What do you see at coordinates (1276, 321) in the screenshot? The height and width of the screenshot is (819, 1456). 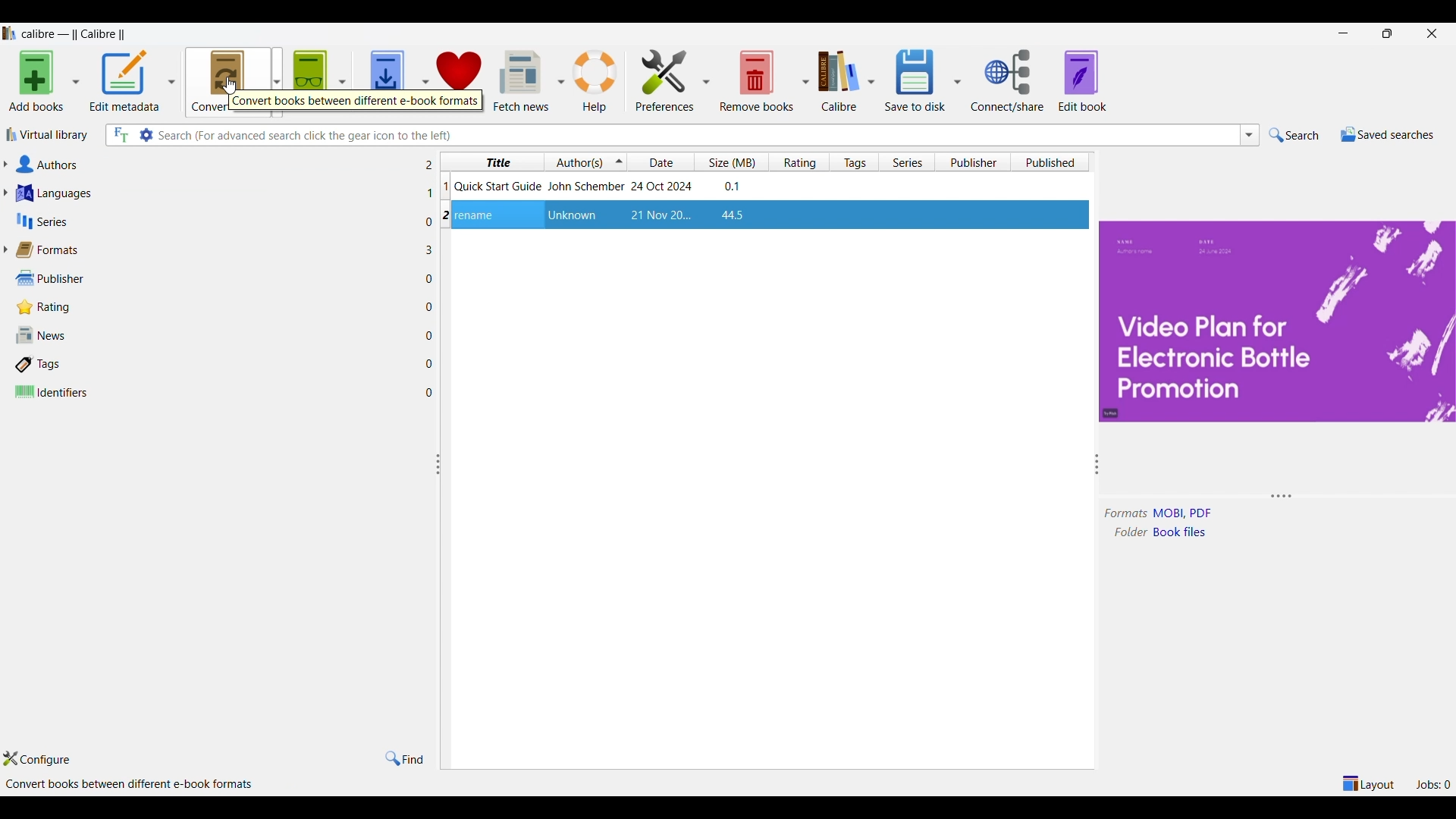 I see `Preview and details changed` at bounding box center [1276, 321].